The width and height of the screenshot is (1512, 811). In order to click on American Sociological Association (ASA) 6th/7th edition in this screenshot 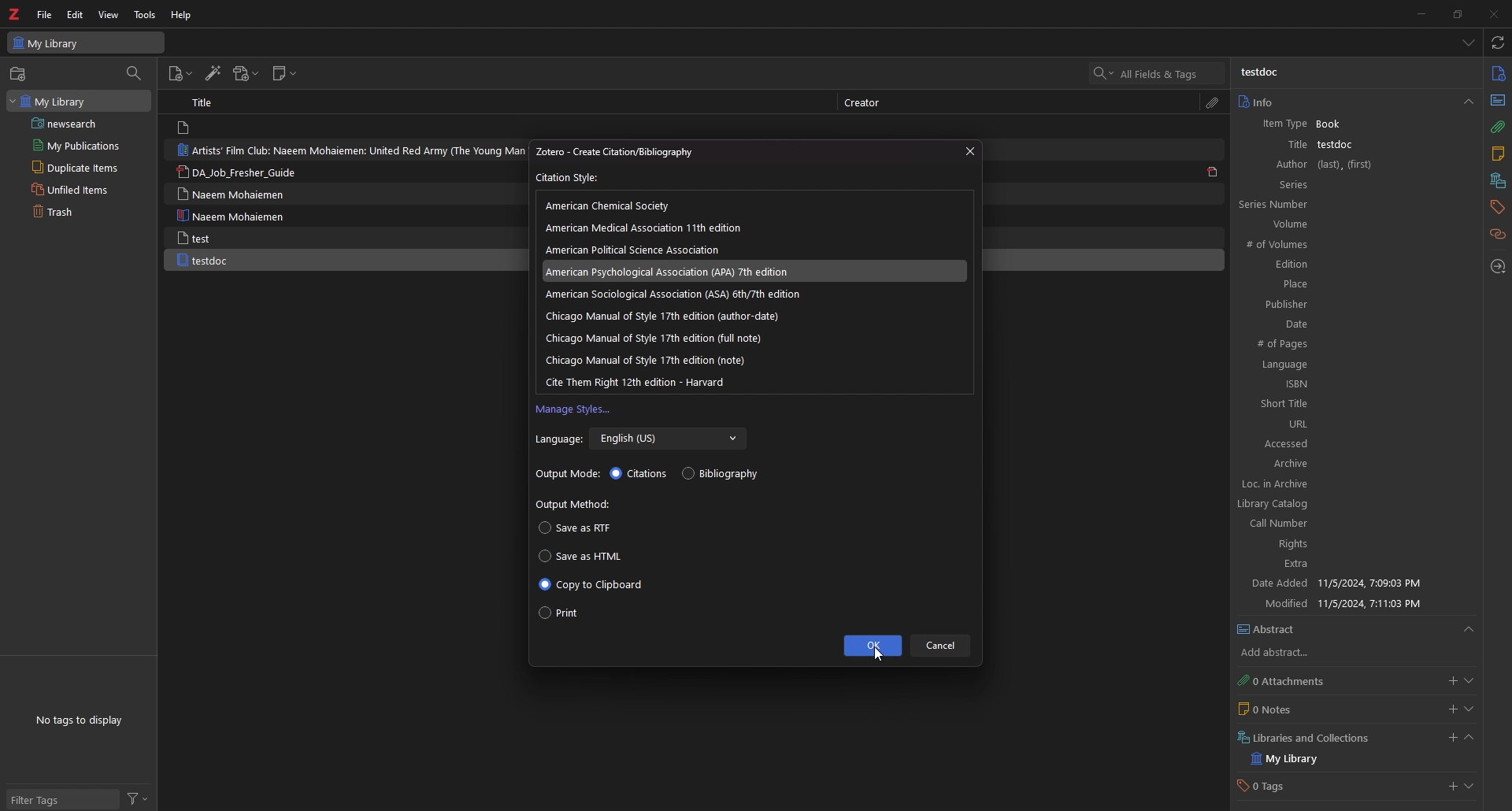, I will do `click(673, 294)`.